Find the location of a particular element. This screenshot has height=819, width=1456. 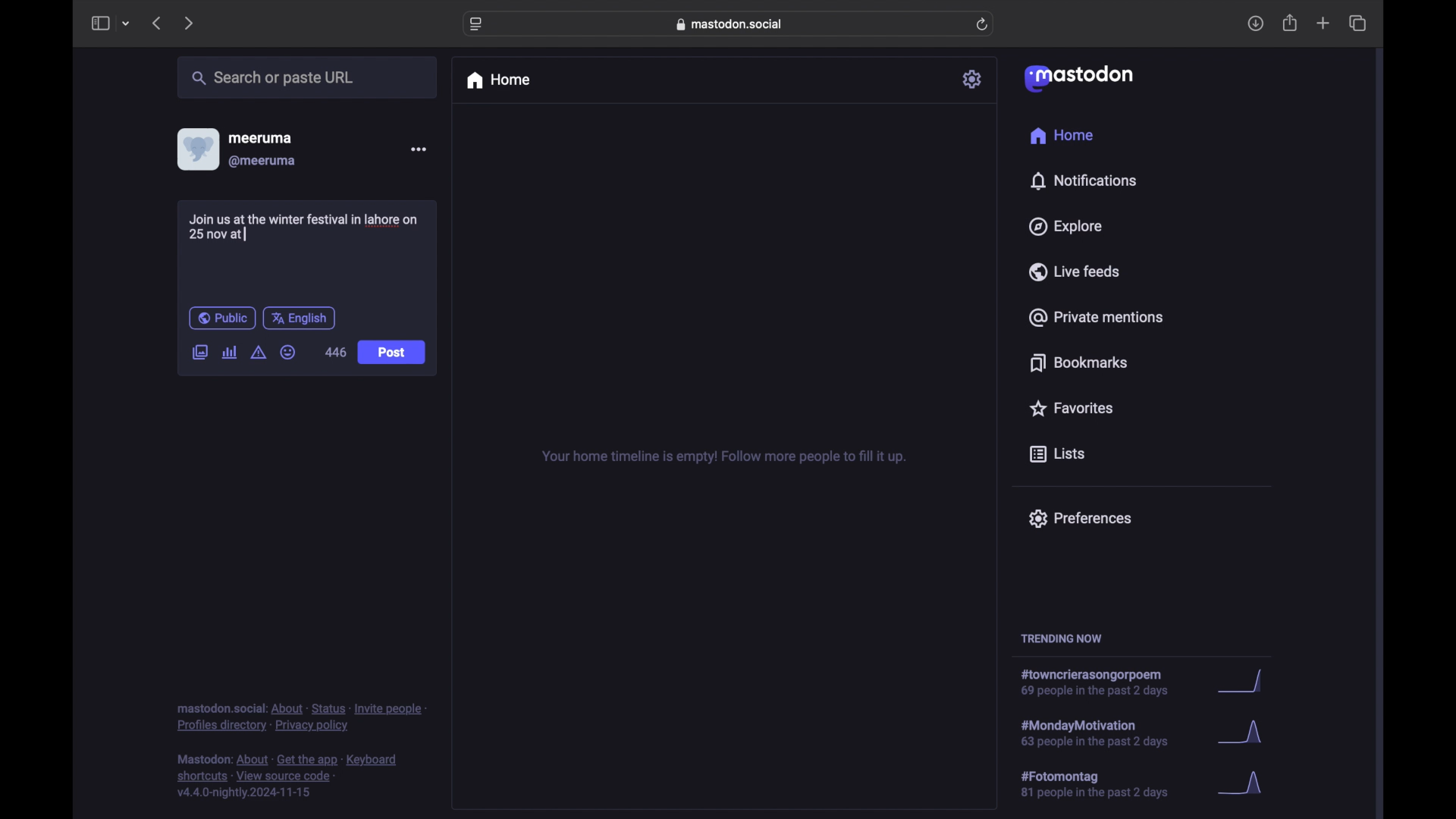

add  poll is located at coordinates (229, 352).